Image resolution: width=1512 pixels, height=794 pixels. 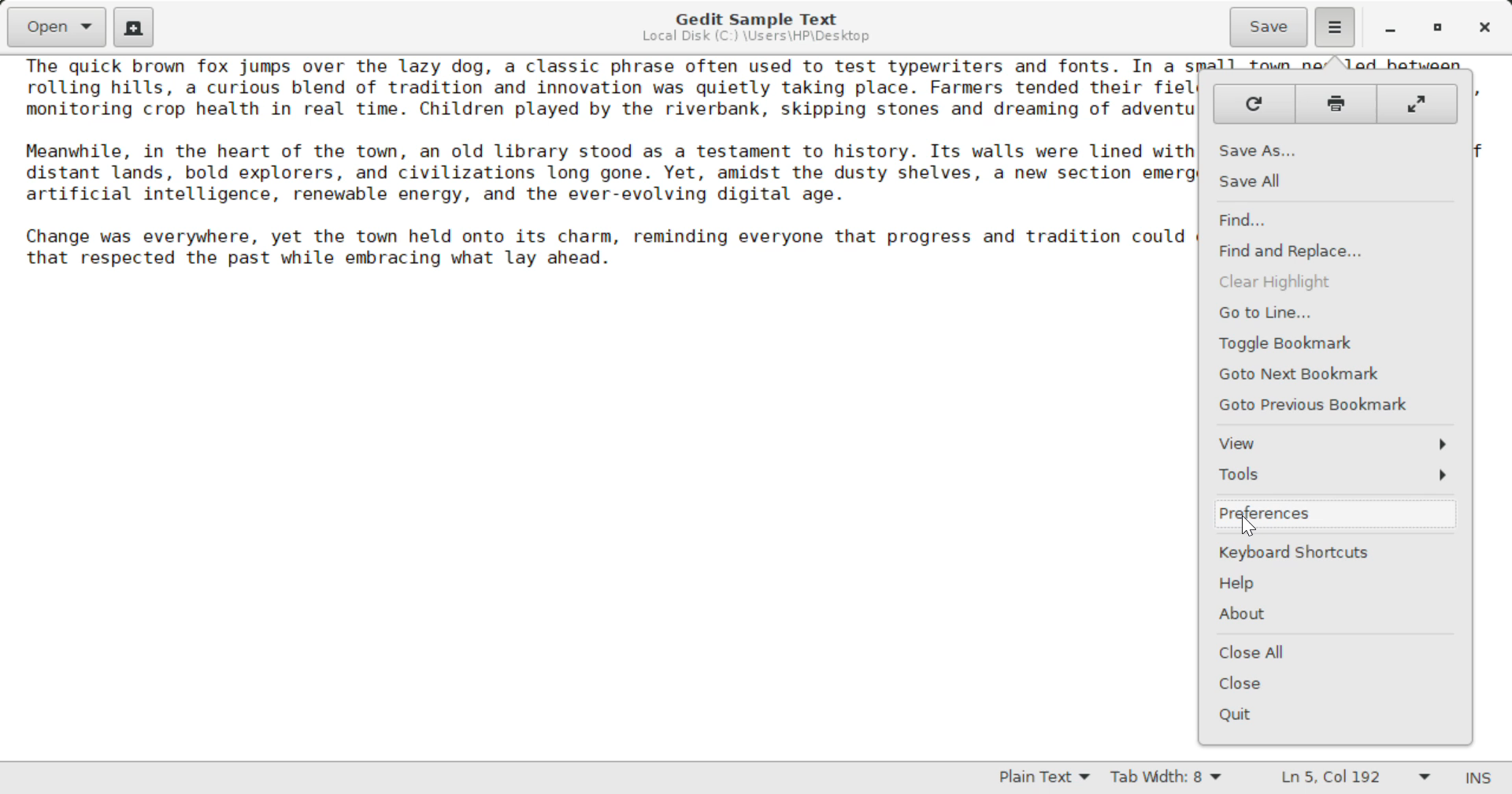 What do you see at coordinates (1291, 343) in the screenshot?
I see `Toggle Bookmark` at bounding box center [1291, 343].